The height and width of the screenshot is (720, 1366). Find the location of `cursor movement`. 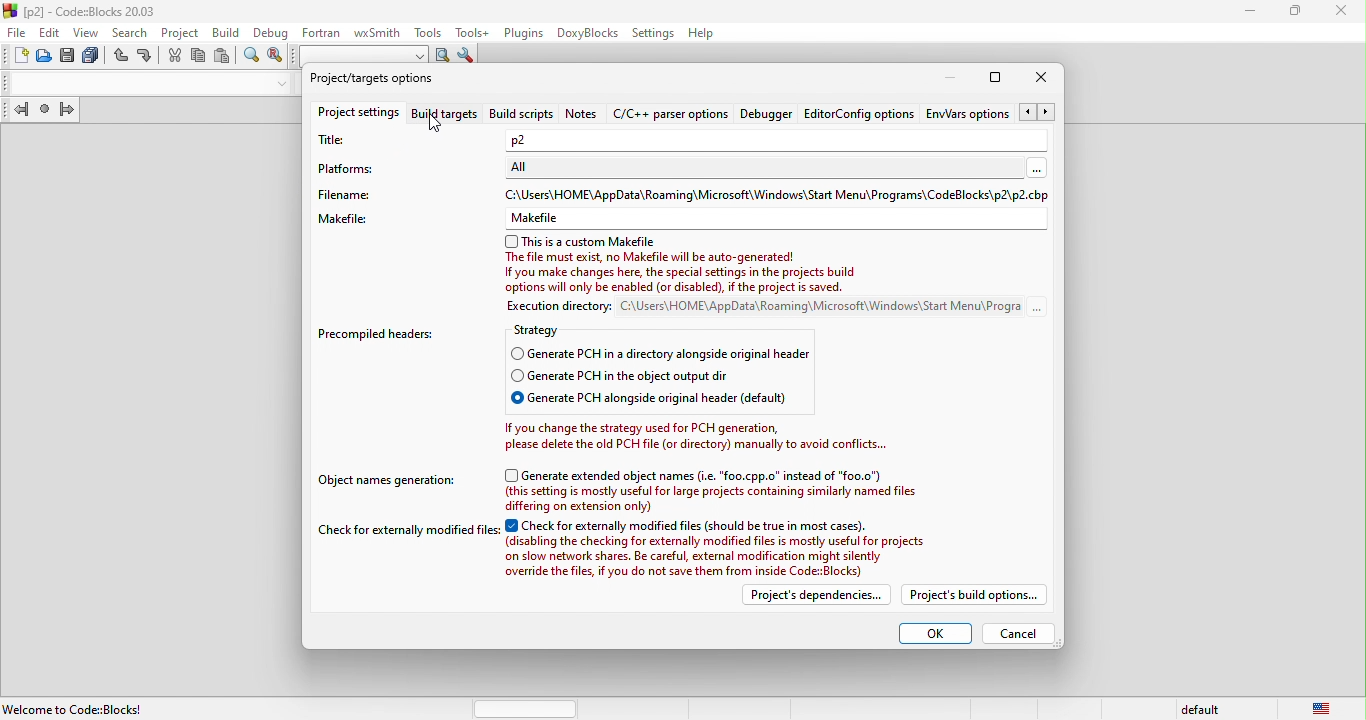

cursor movement is located at coordinates (435, 124).